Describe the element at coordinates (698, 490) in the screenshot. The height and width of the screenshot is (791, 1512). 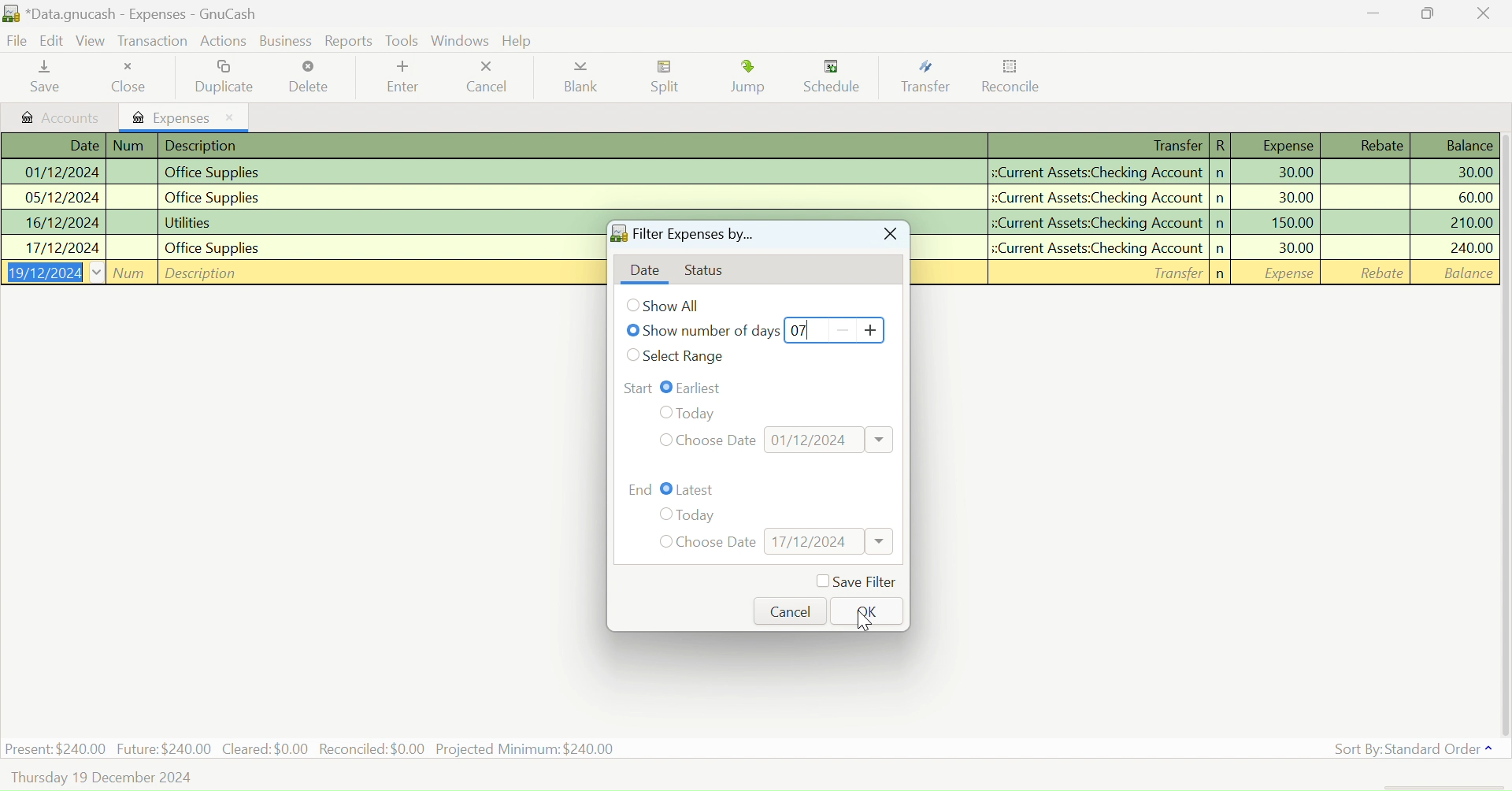
I see `Latest` at that location.